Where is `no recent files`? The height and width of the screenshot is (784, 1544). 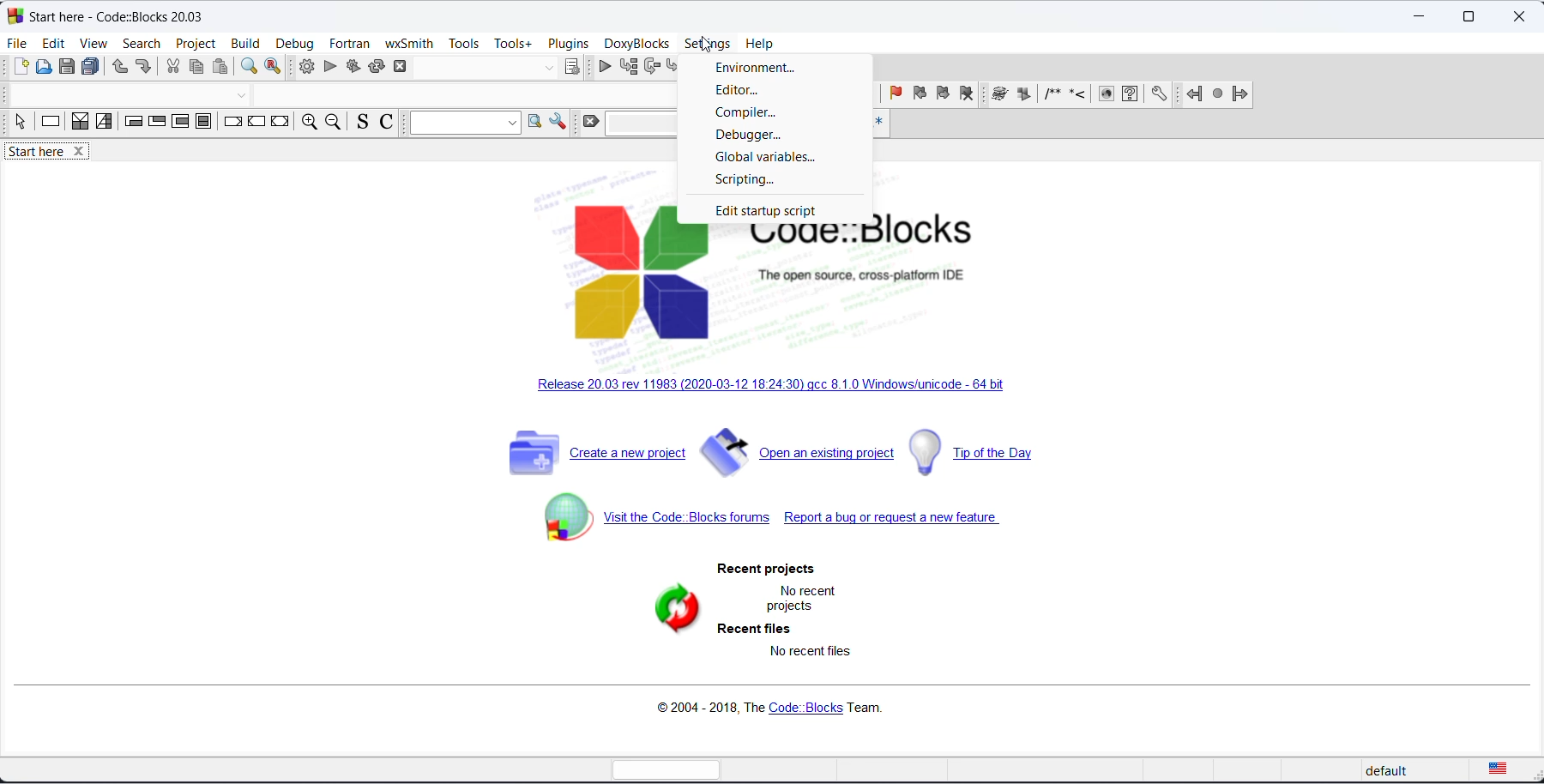 no recent files is located at coordinates (809, 652).